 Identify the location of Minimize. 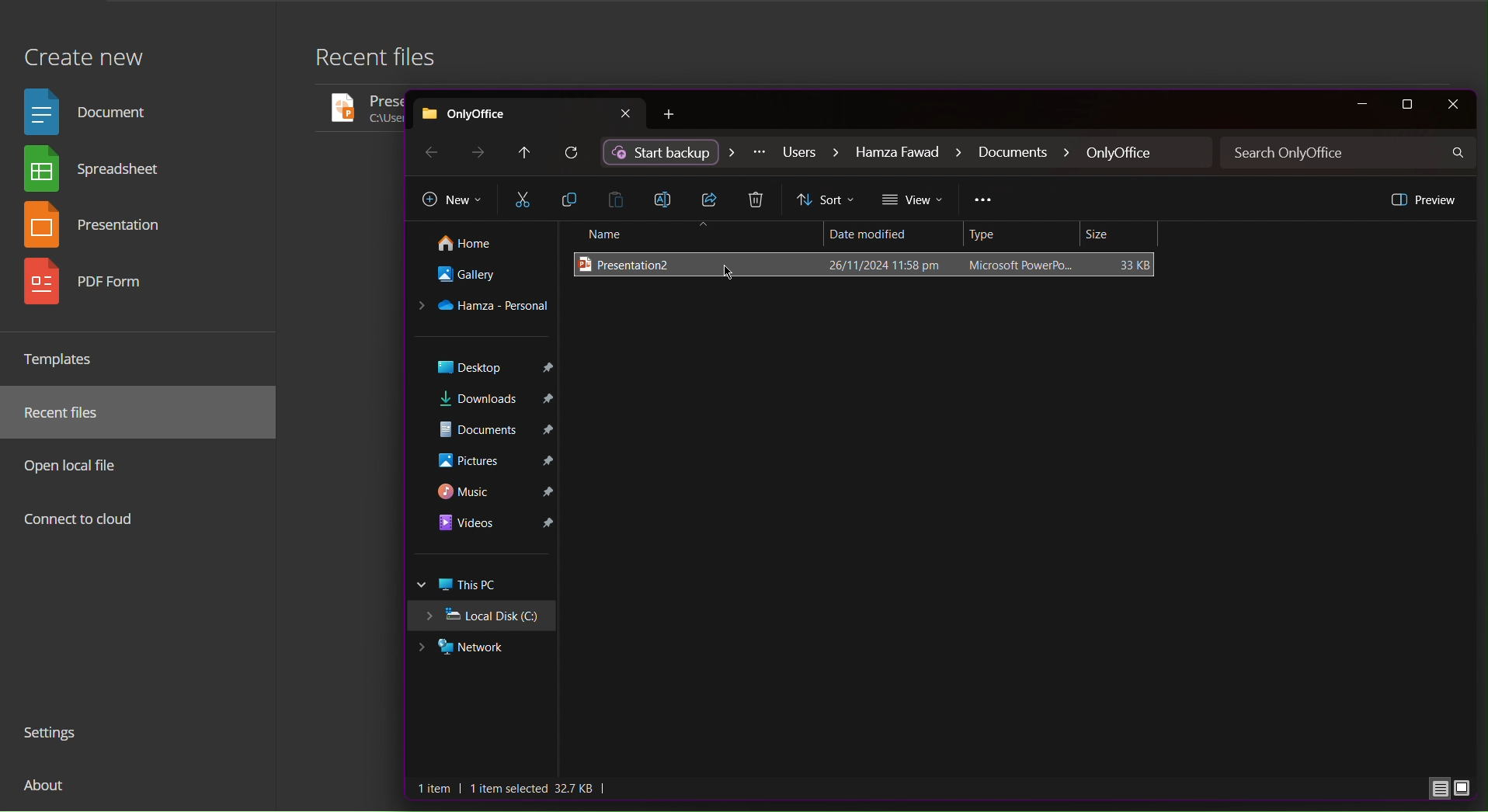
(1361, 105).